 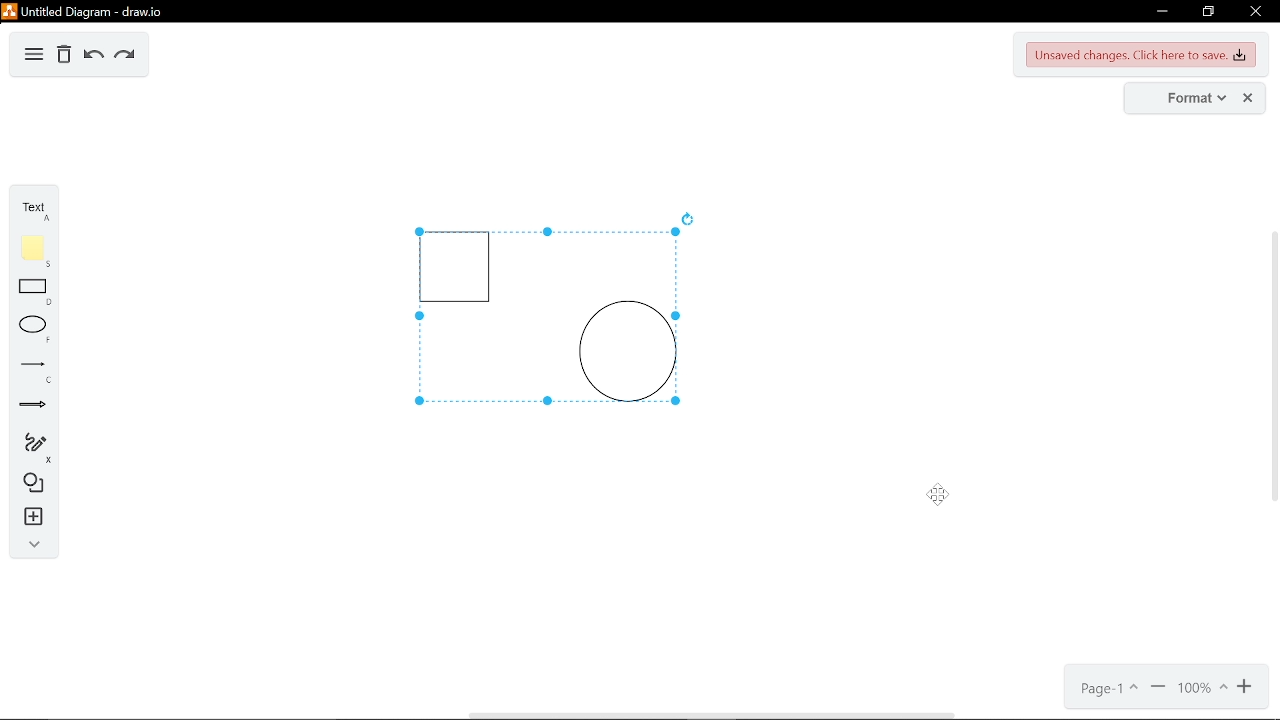 What do you see at coordinates (33, 250) in the screenshot?
I see `note` at bounding box center [33, 250].